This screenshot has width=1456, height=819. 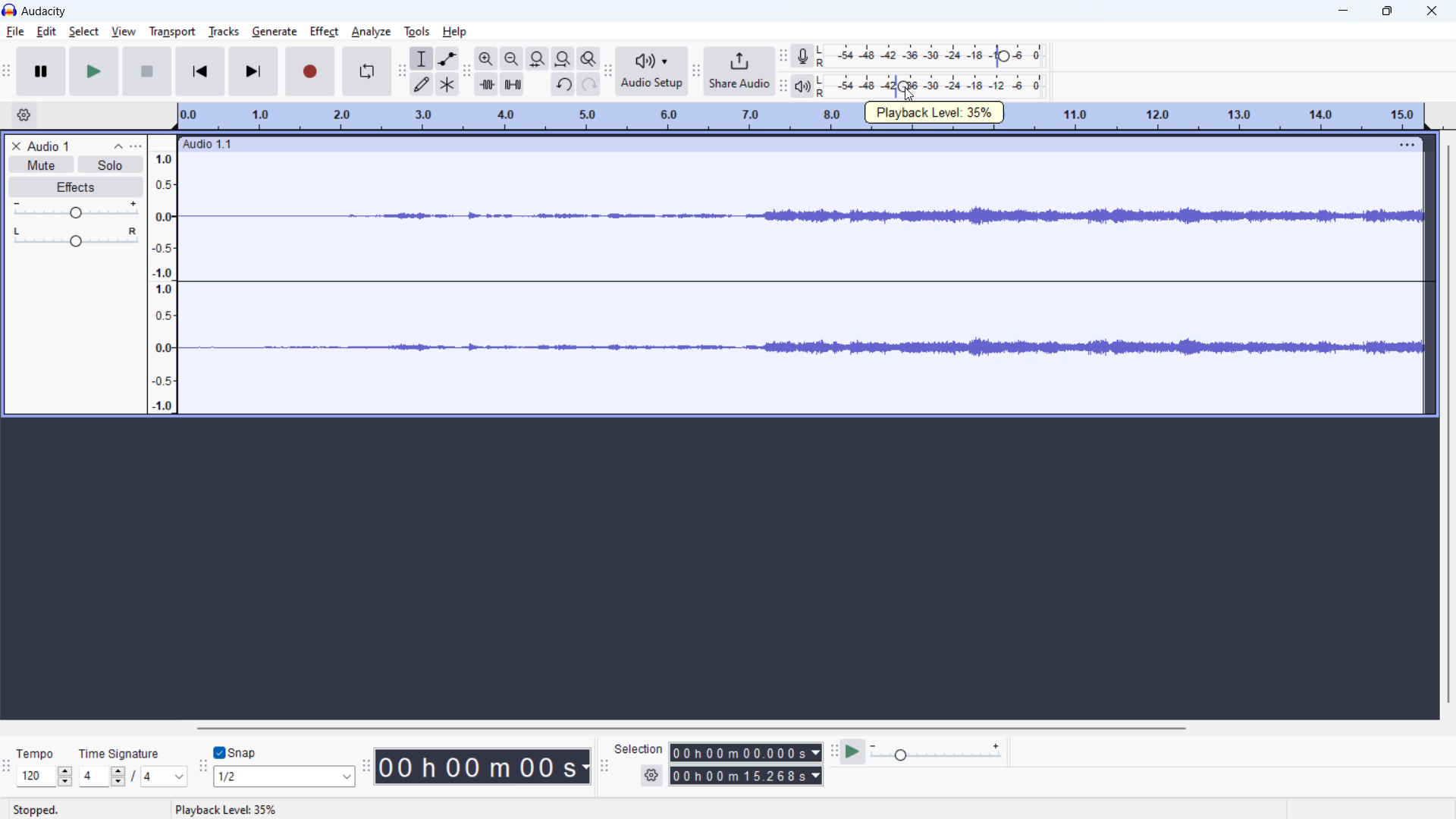 I want to click on time, so click(x=483, y=767).